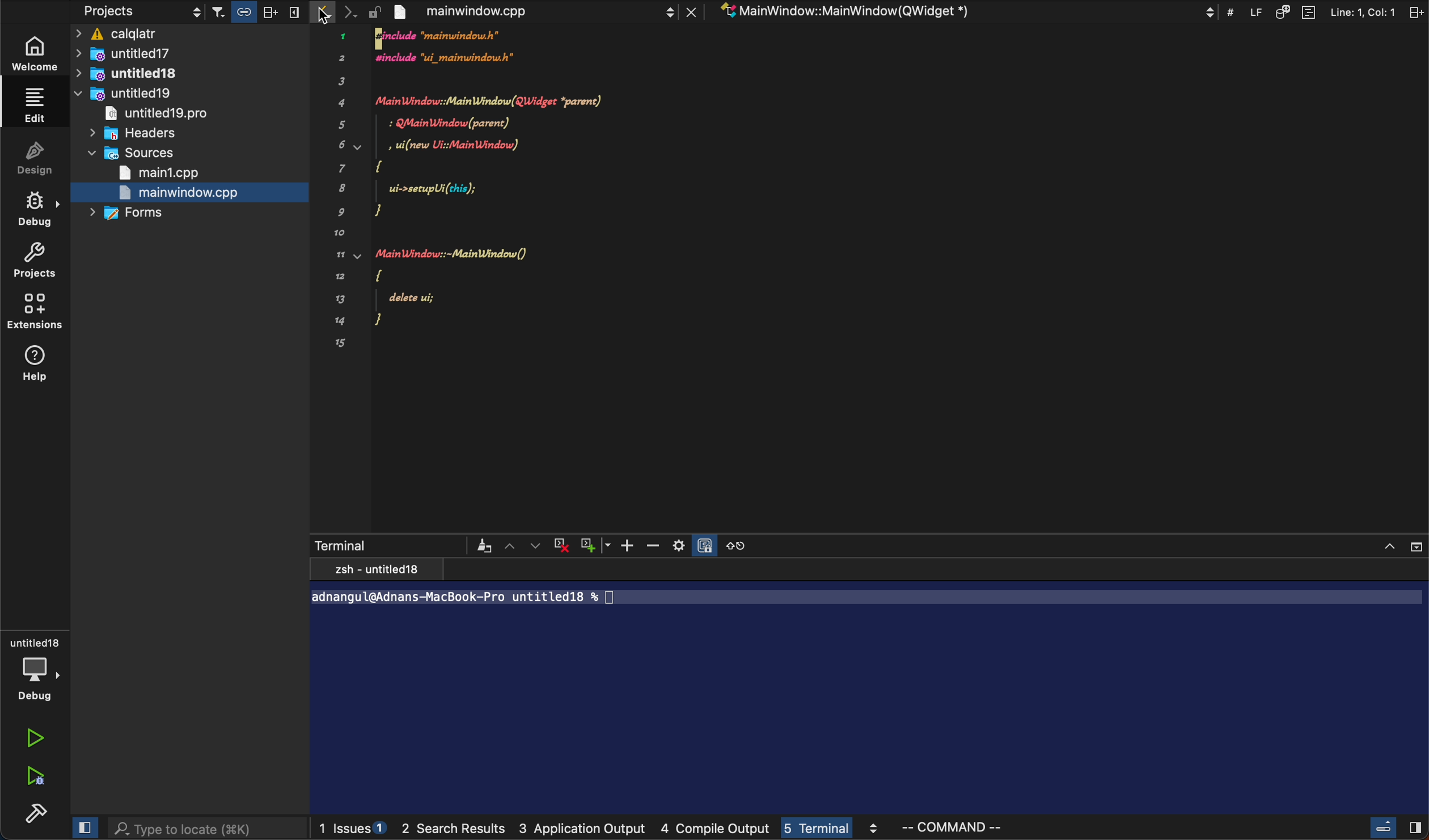 The image size is (1429, 840). Describe the element at coordinates (1392, 828) in the screenshot. I see `close slide bar` at that location.